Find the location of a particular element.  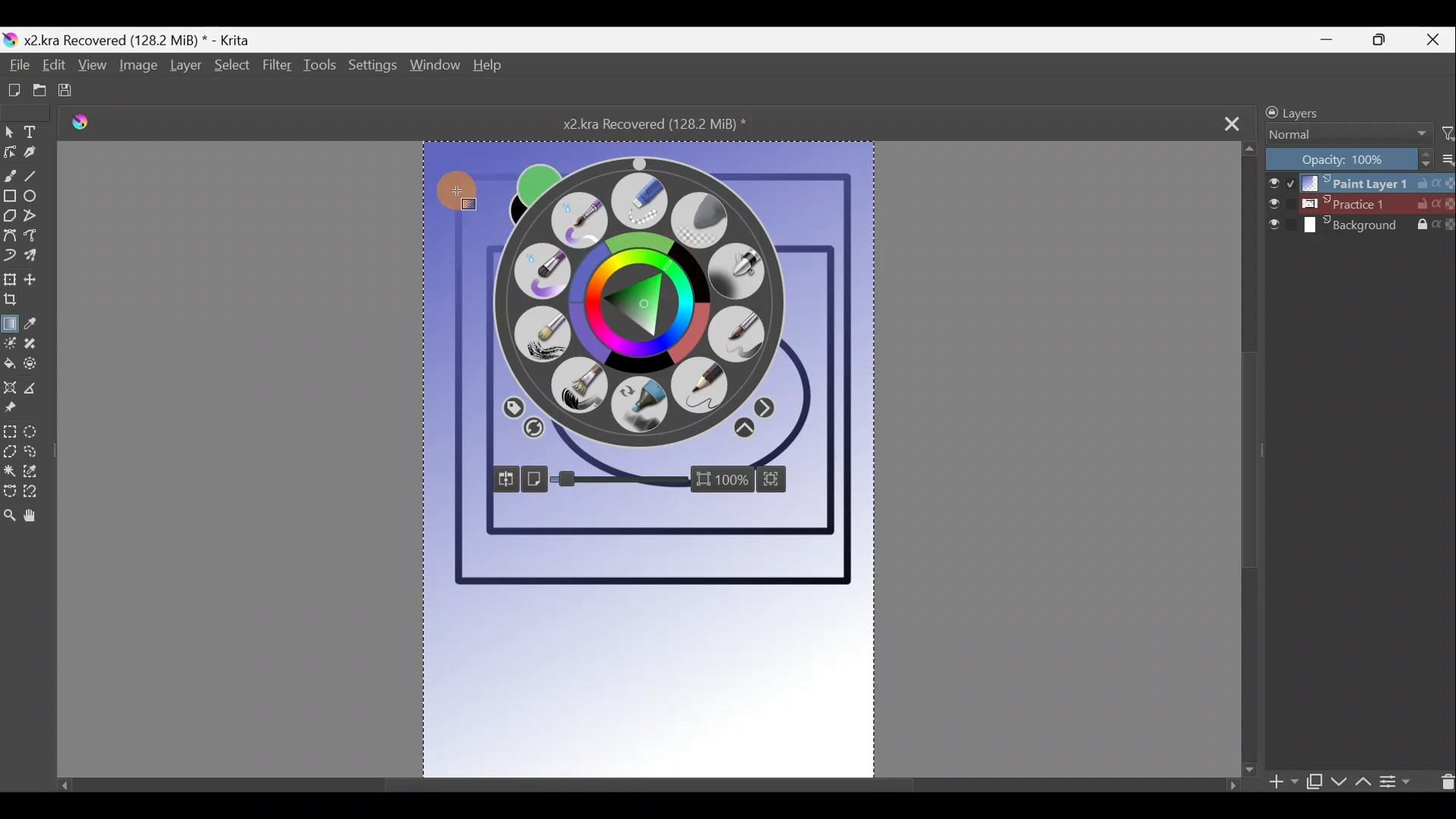

Minimise is located at coordinates (1334, 39).